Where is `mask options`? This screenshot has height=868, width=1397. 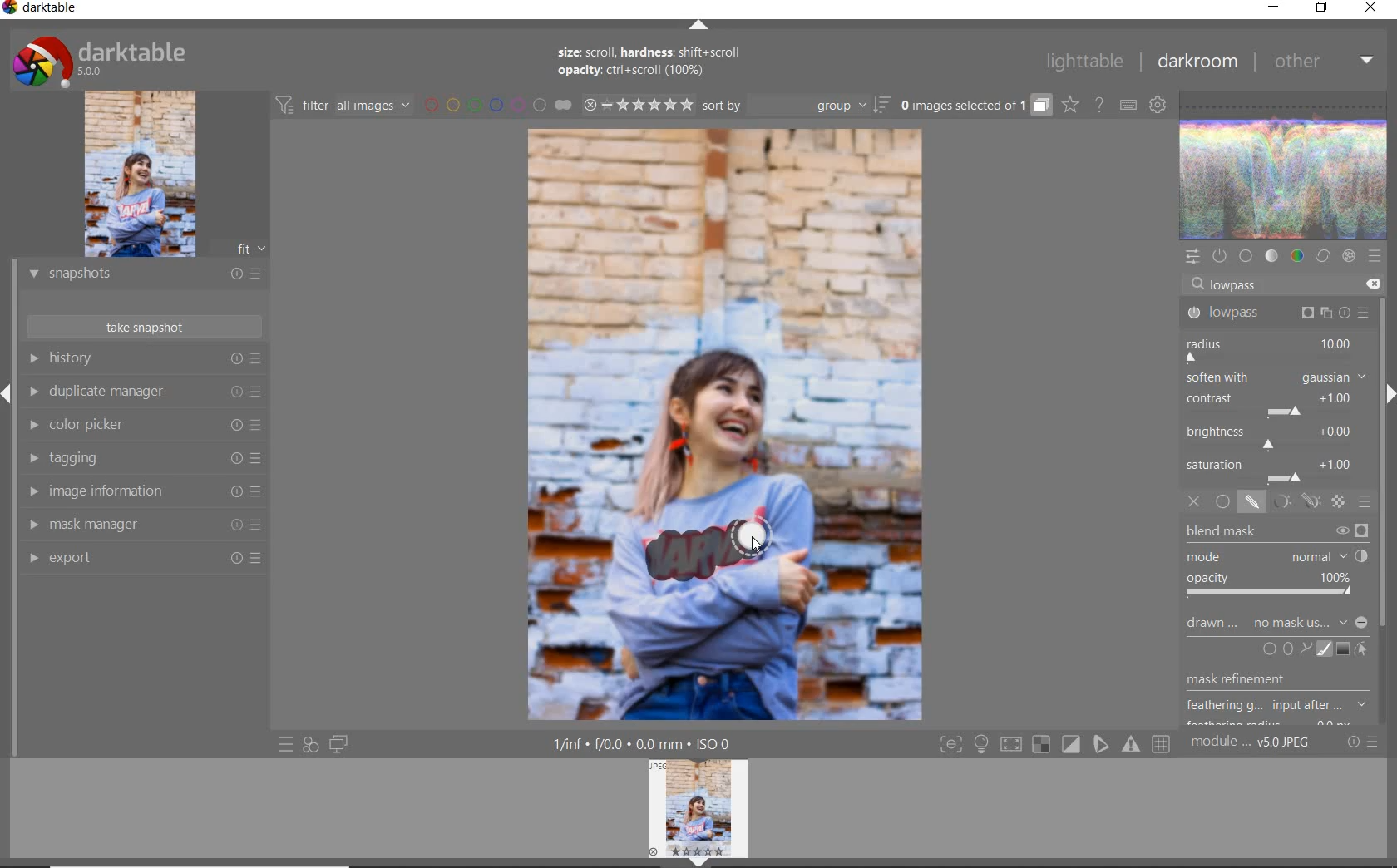
mask options is located at coordinates (1293, 502).